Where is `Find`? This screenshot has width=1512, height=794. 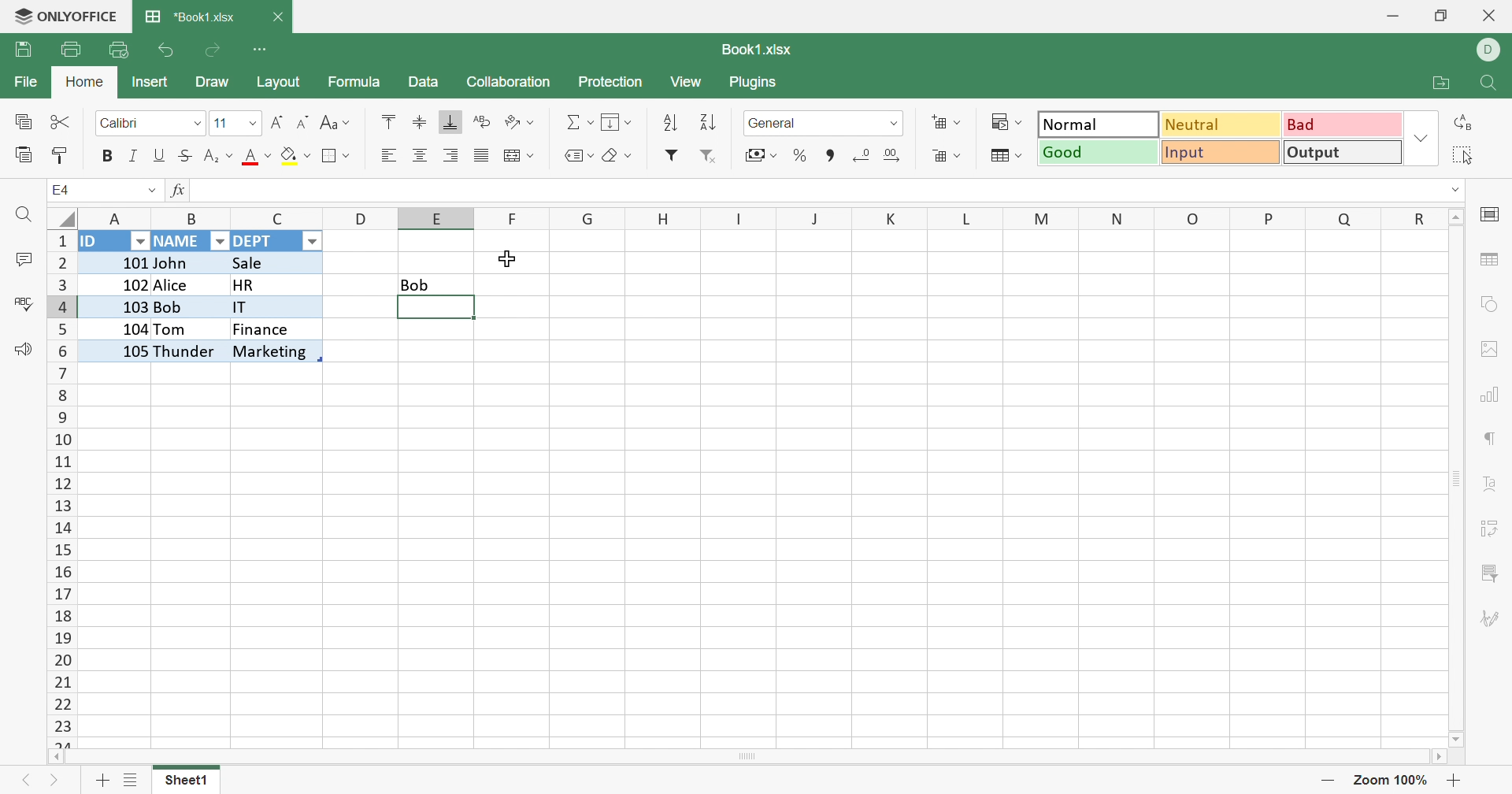
Find is located at coordinates (1487, 84).